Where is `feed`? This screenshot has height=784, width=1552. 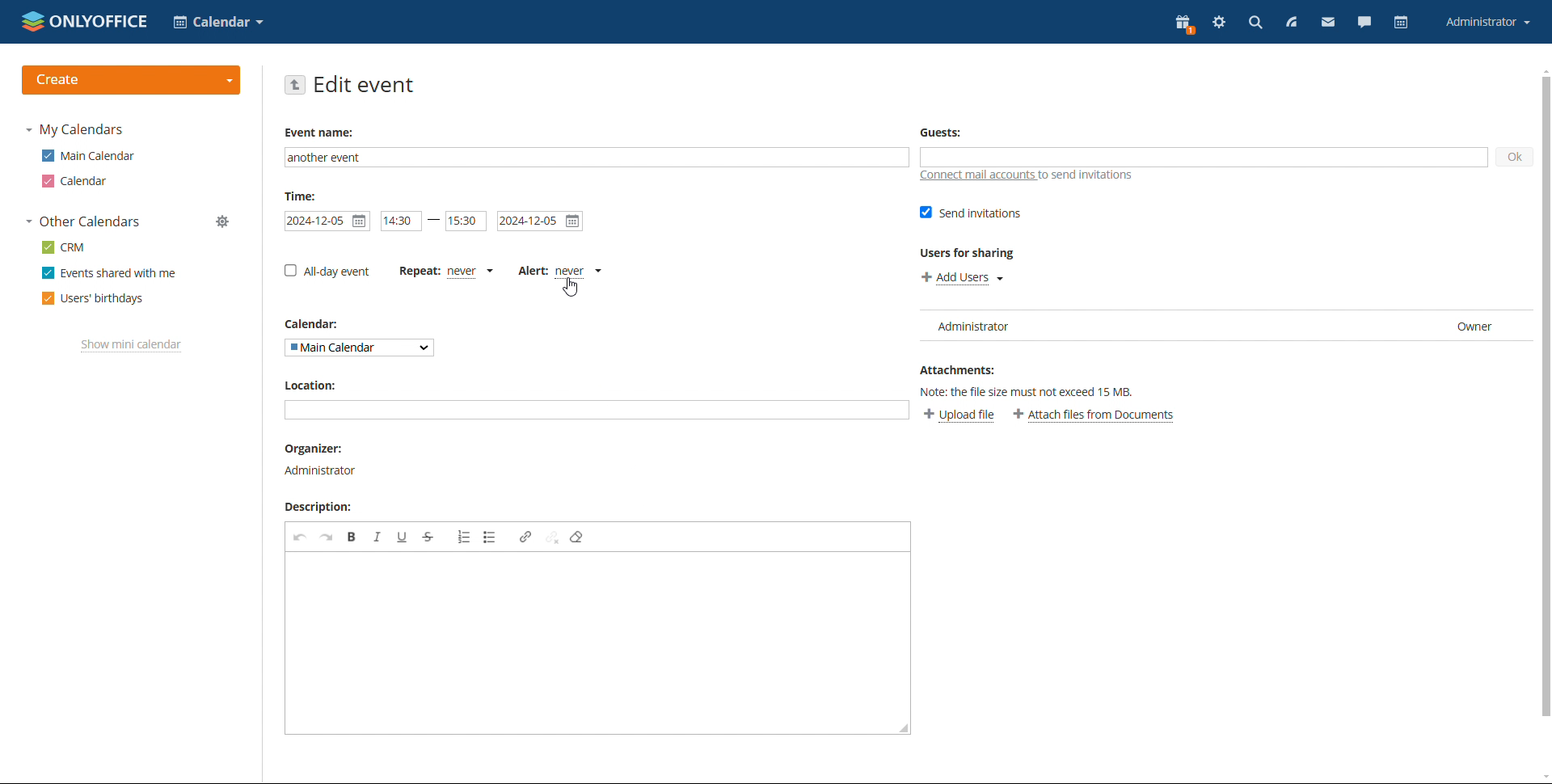
feed is located at coordinates (1290, 23).